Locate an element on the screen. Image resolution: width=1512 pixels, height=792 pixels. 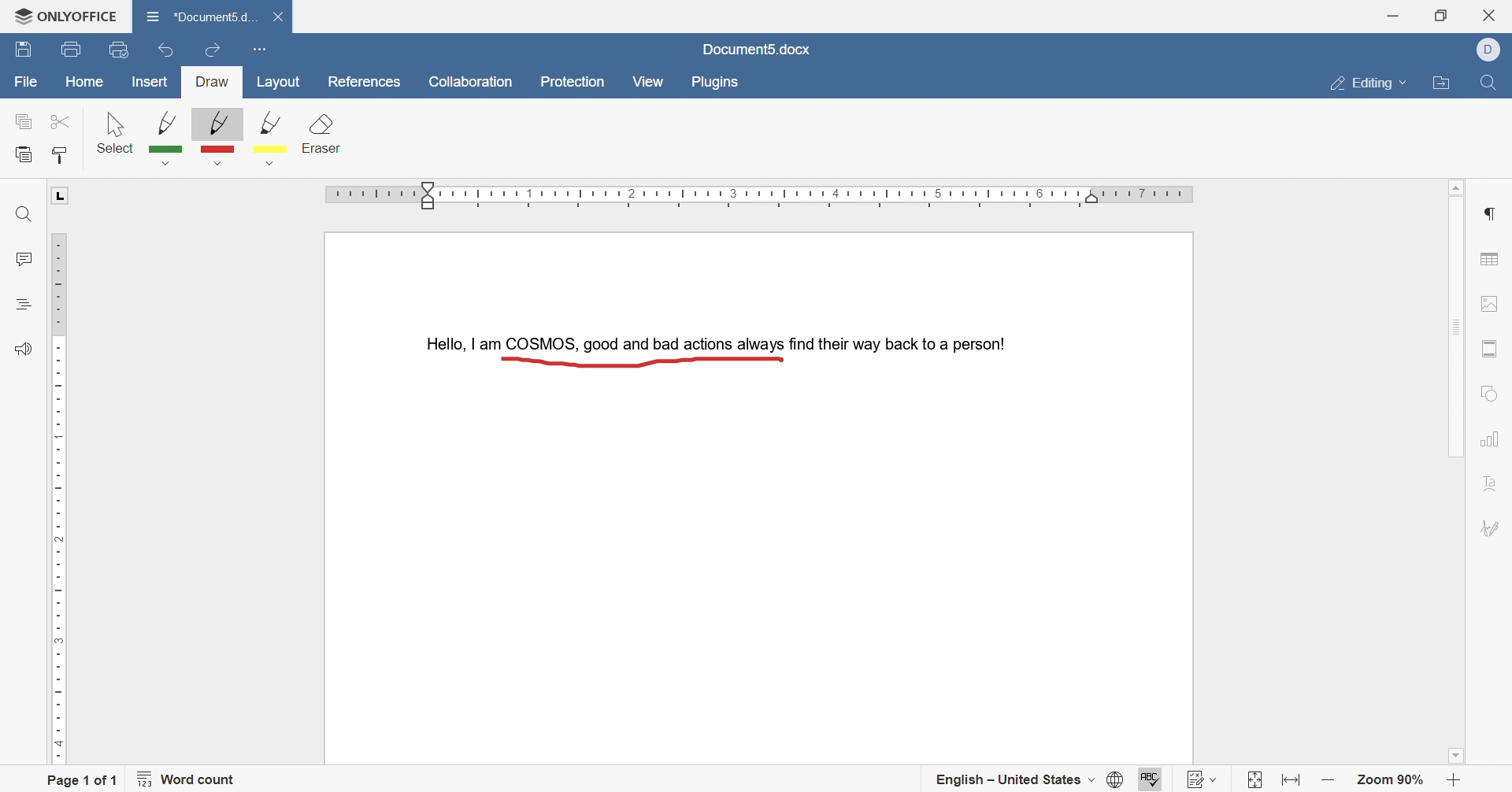
signature settings is located at coordinates (1493, 530).